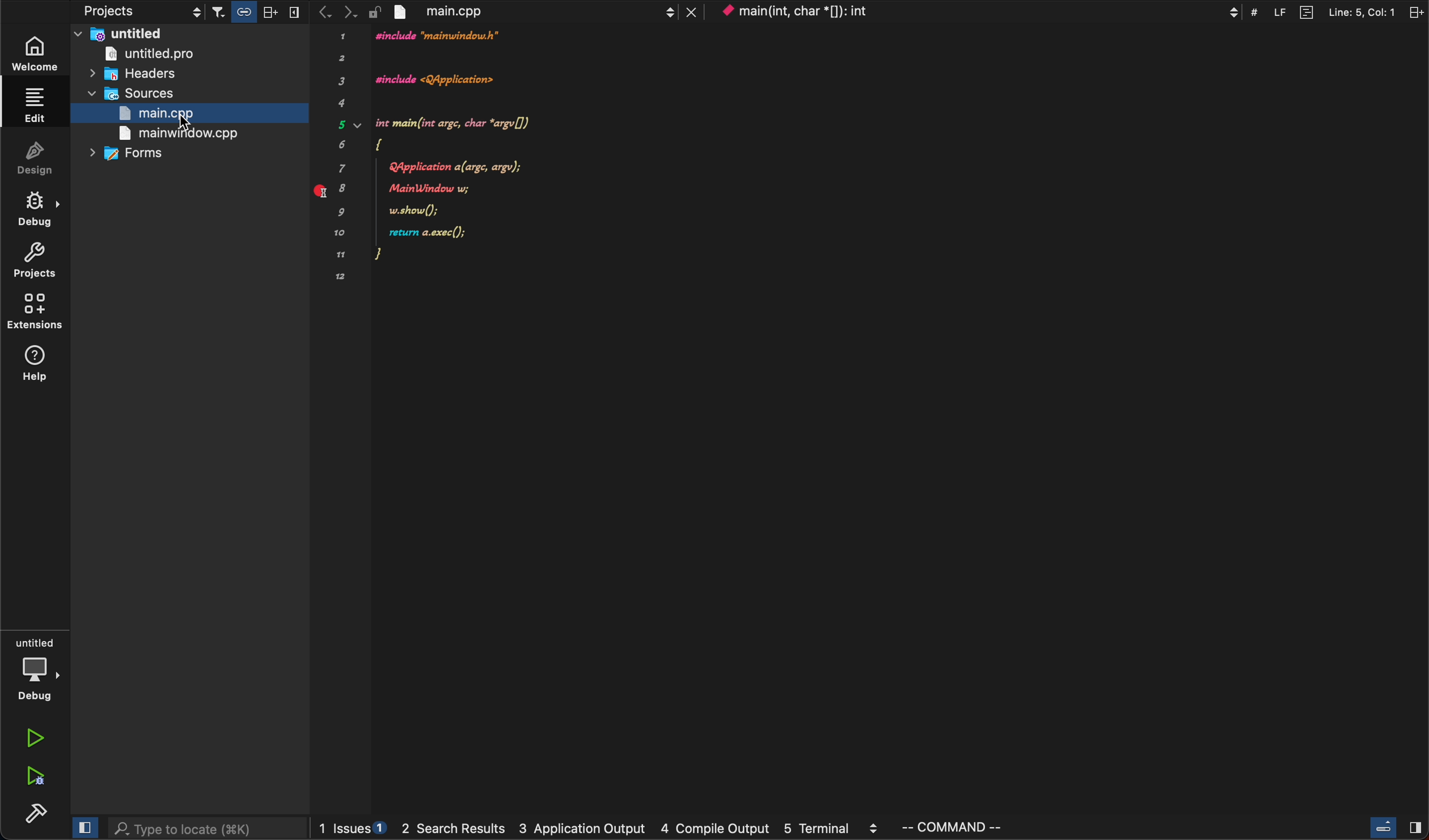 The width and height of the screenshot is (1429, 840). I want to click on search bar, so click(206, 830).